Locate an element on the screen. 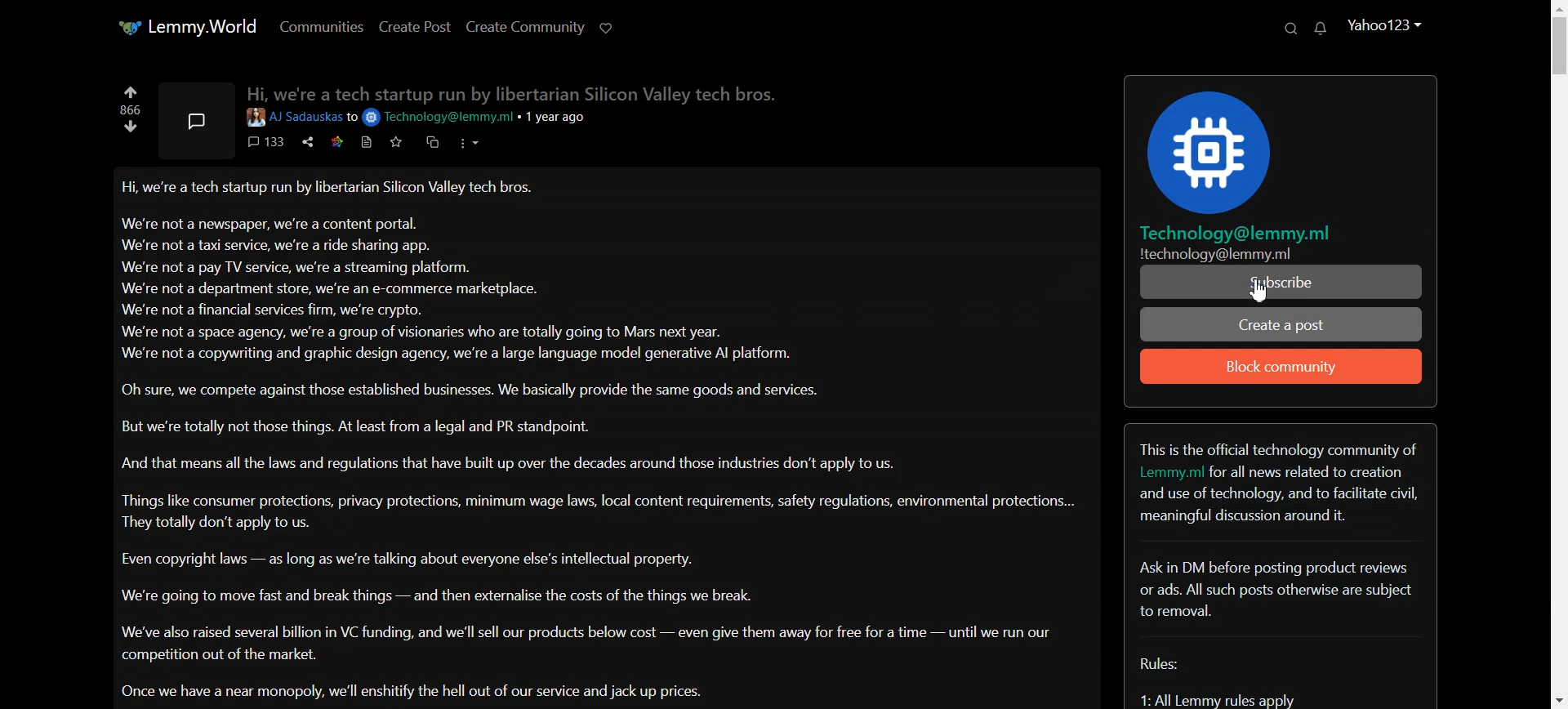 The height and width of the screenshot is (709, 1568). Cross-Post is located at coordinates (432, 141).